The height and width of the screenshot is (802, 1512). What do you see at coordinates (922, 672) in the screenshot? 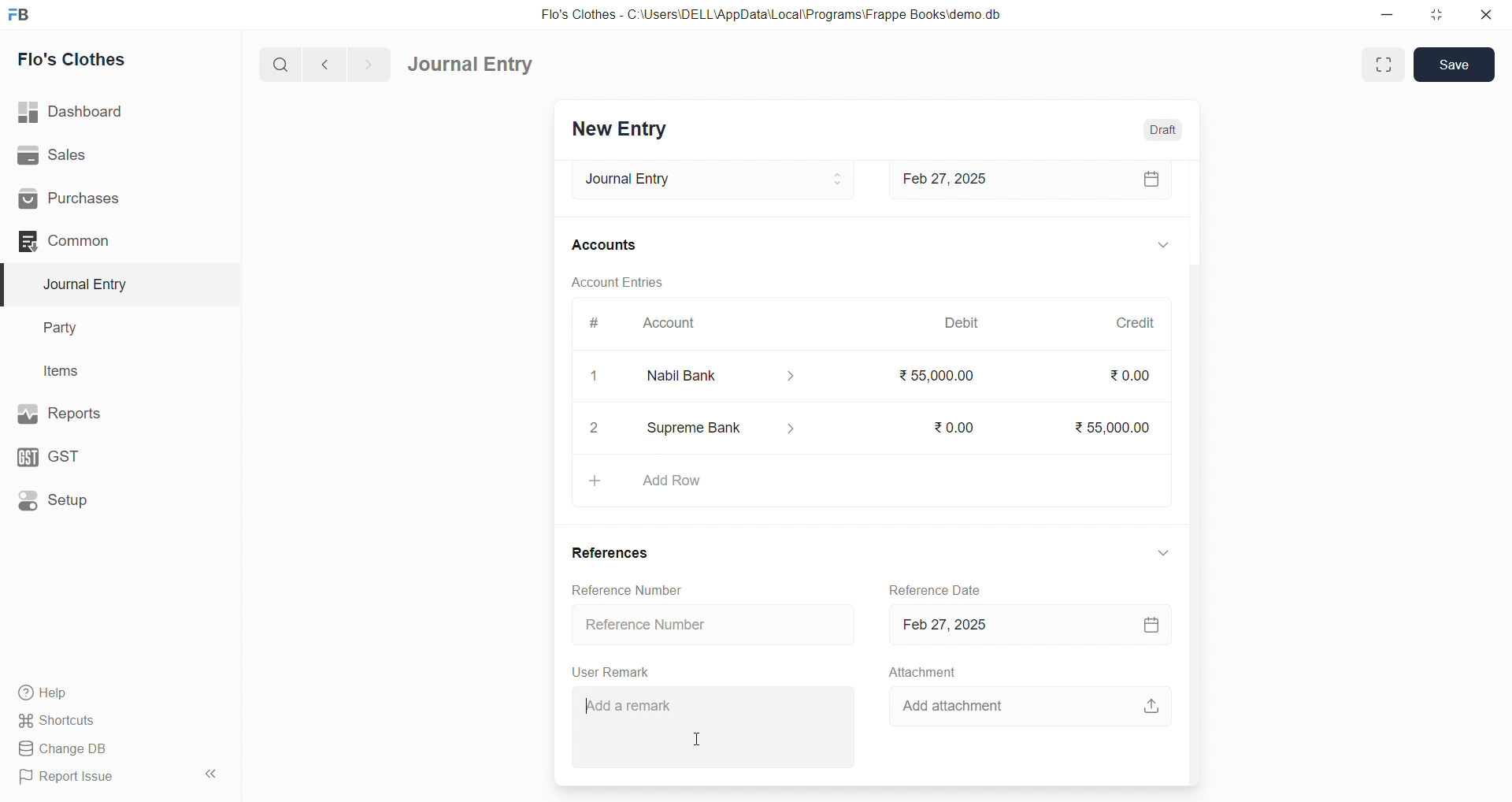
I see `Attachment` at bounding box center [922, 672].